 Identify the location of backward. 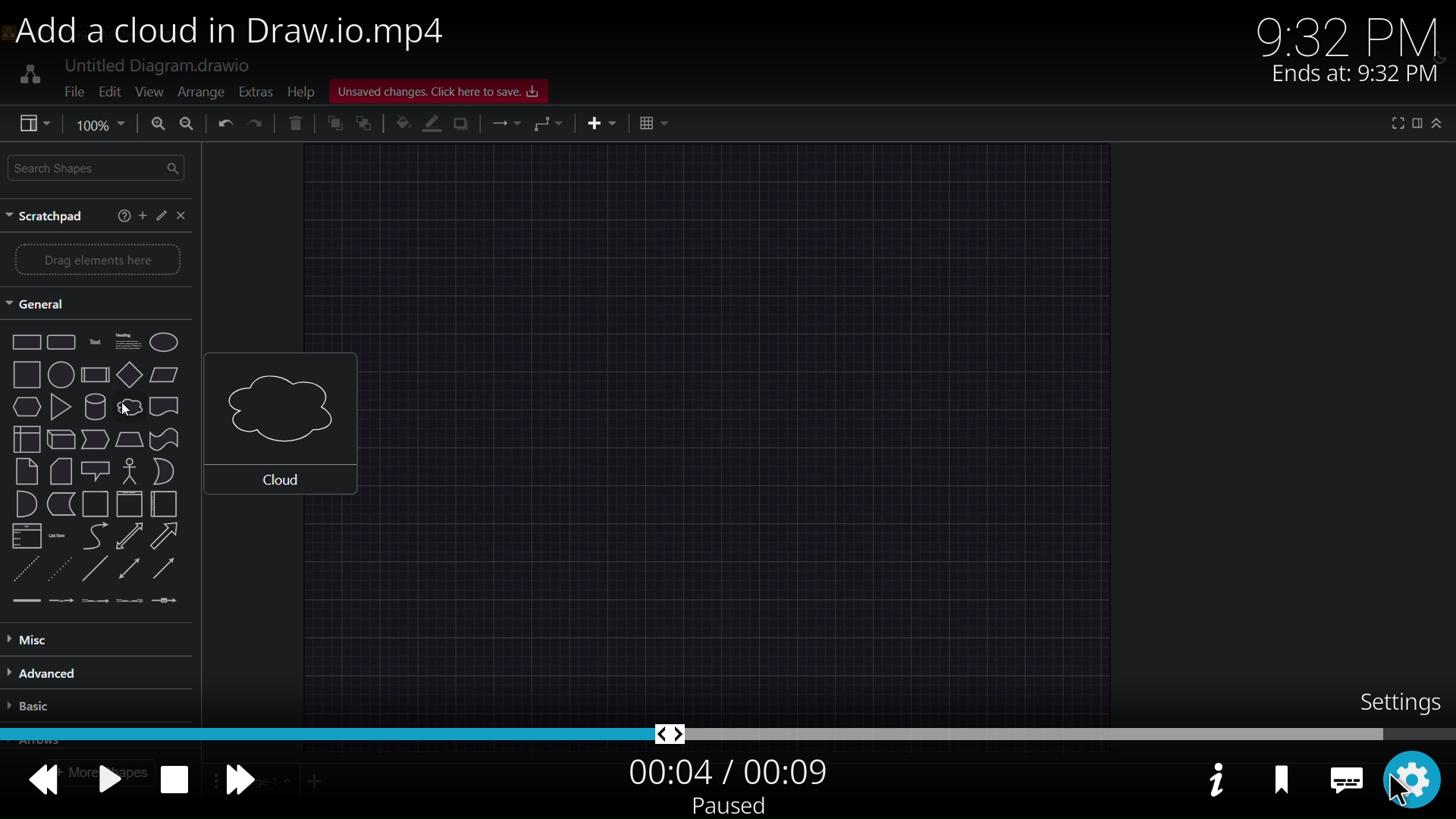
(42, 780).